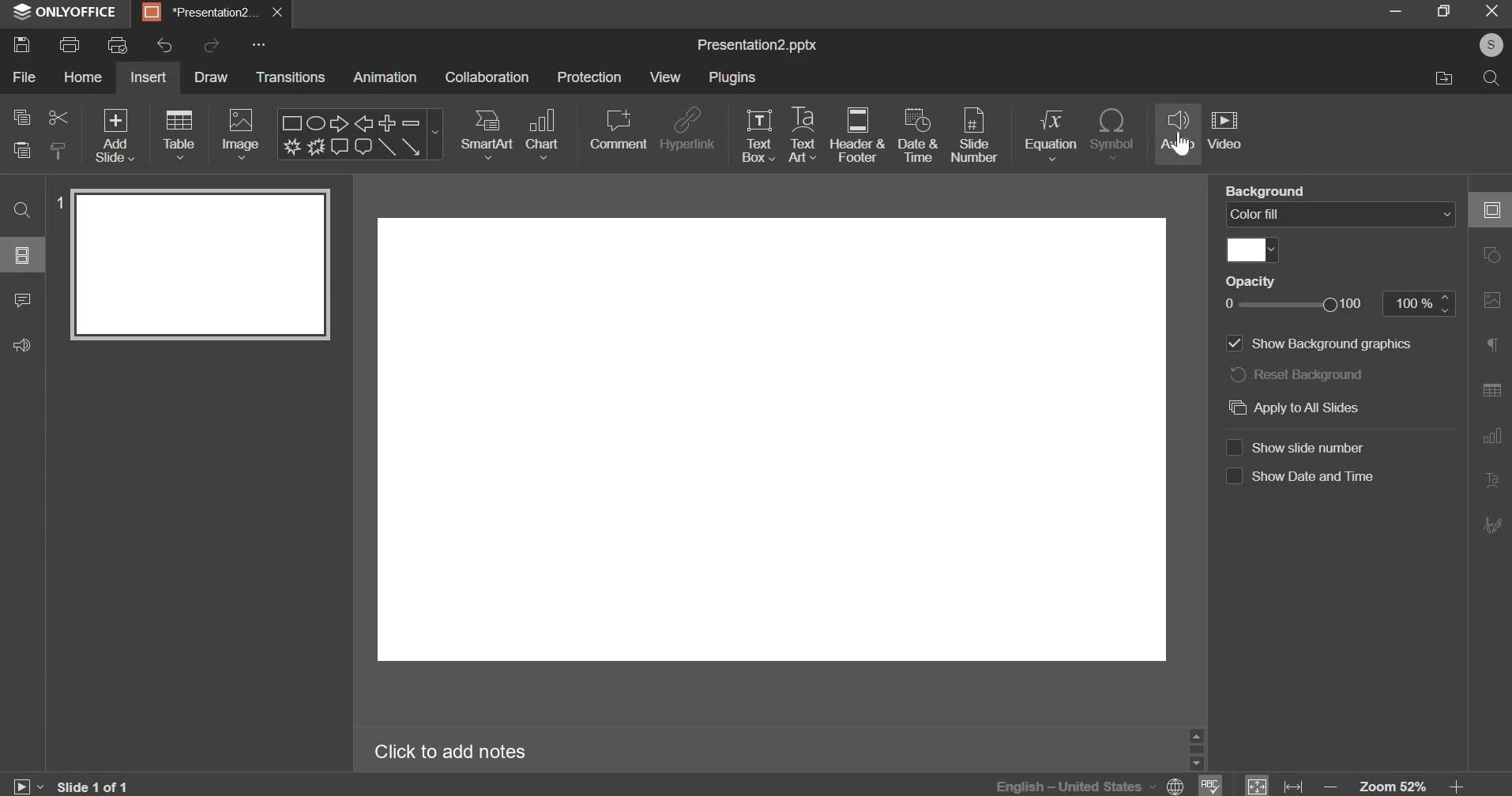  Describe the element at coordinates (1256, 784) in the screenshot. I see `fit to slide` at that location.